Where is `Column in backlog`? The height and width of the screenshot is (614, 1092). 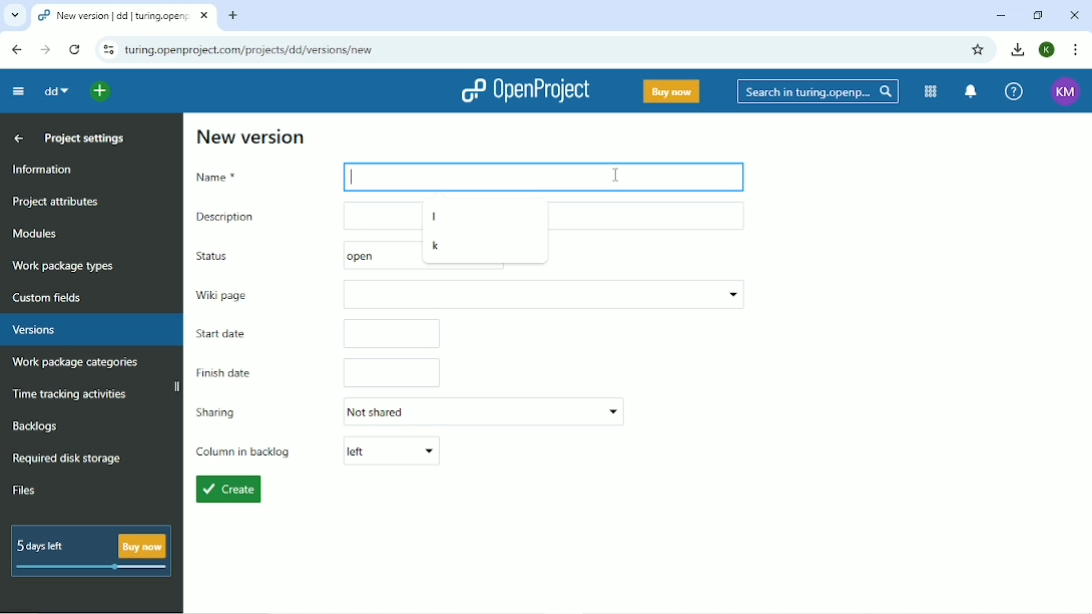
Column in backlog is located at coordinates (318, 451).